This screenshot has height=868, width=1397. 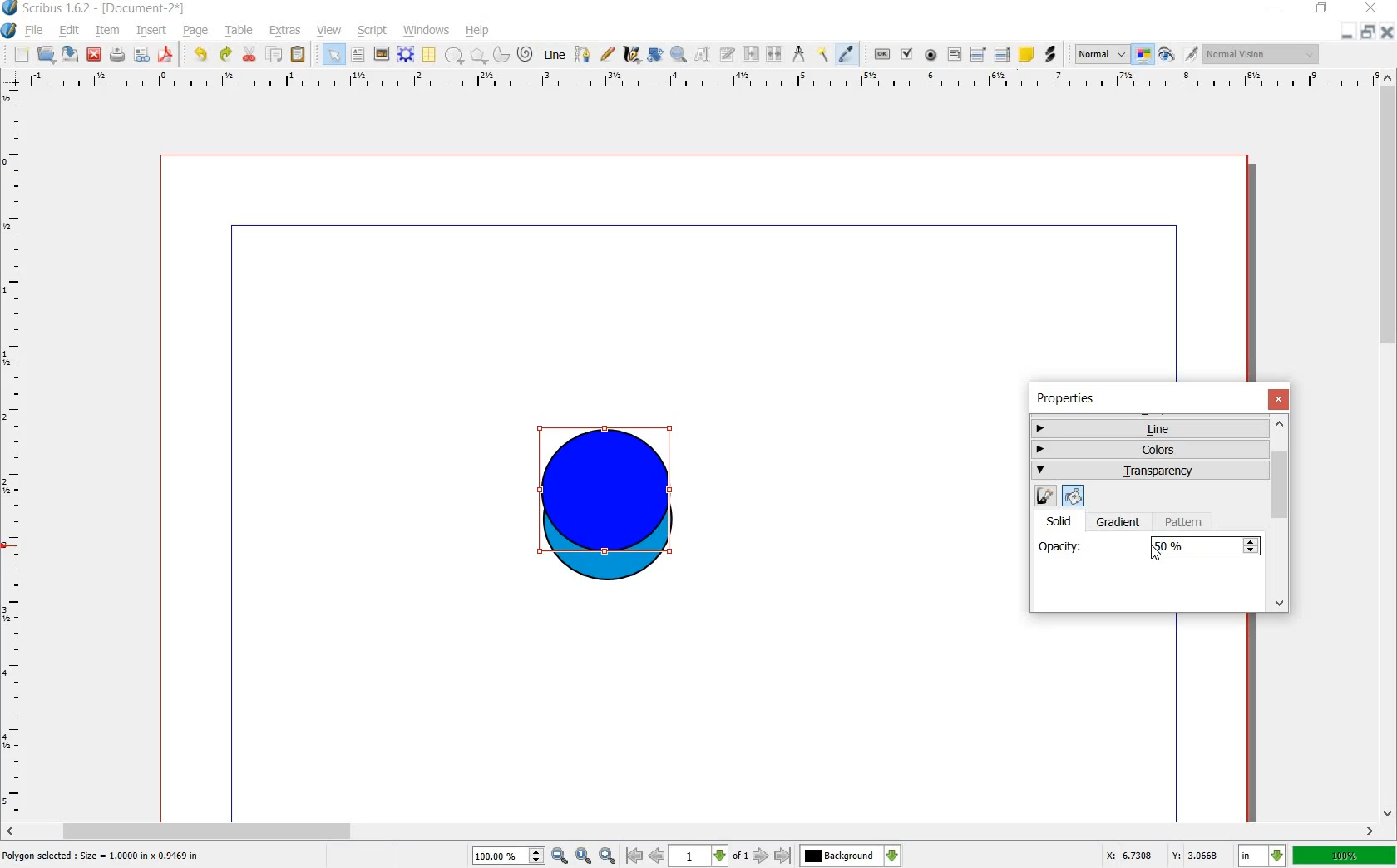 I want to click on go to next or last page, so click(x=773, y=856).